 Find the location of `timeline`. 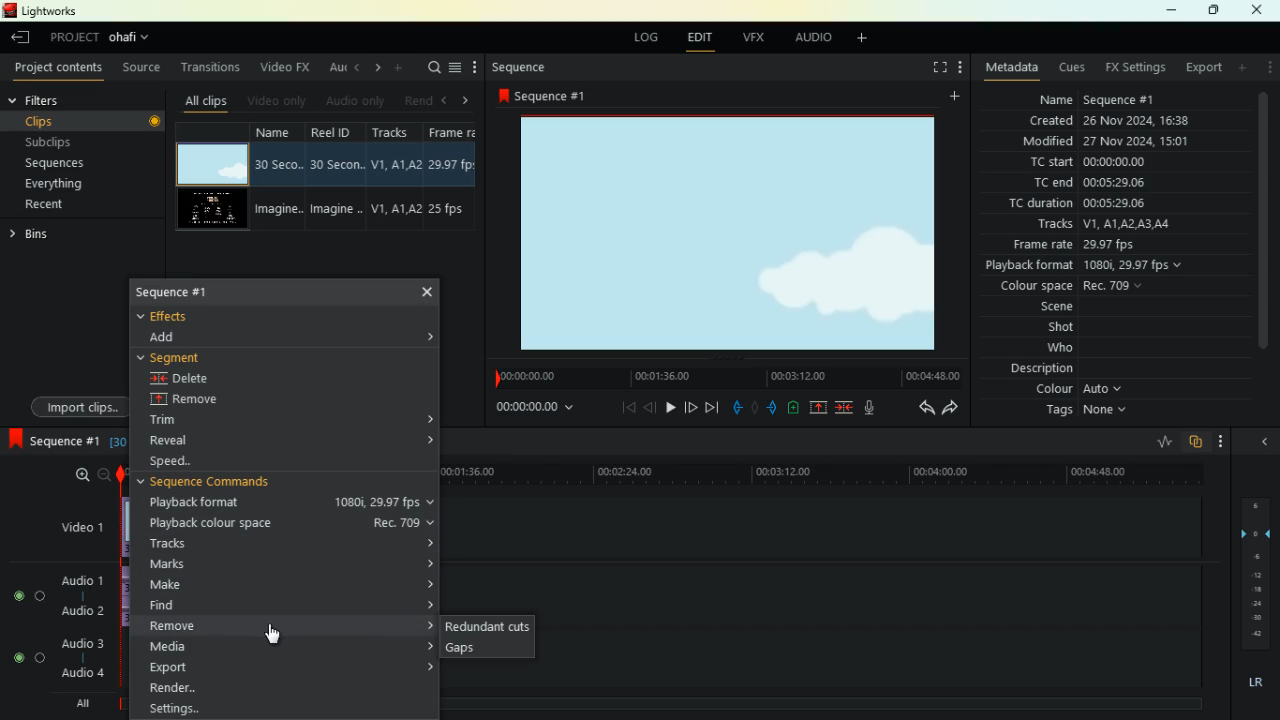

timeline is located at coordinates (822, 704).